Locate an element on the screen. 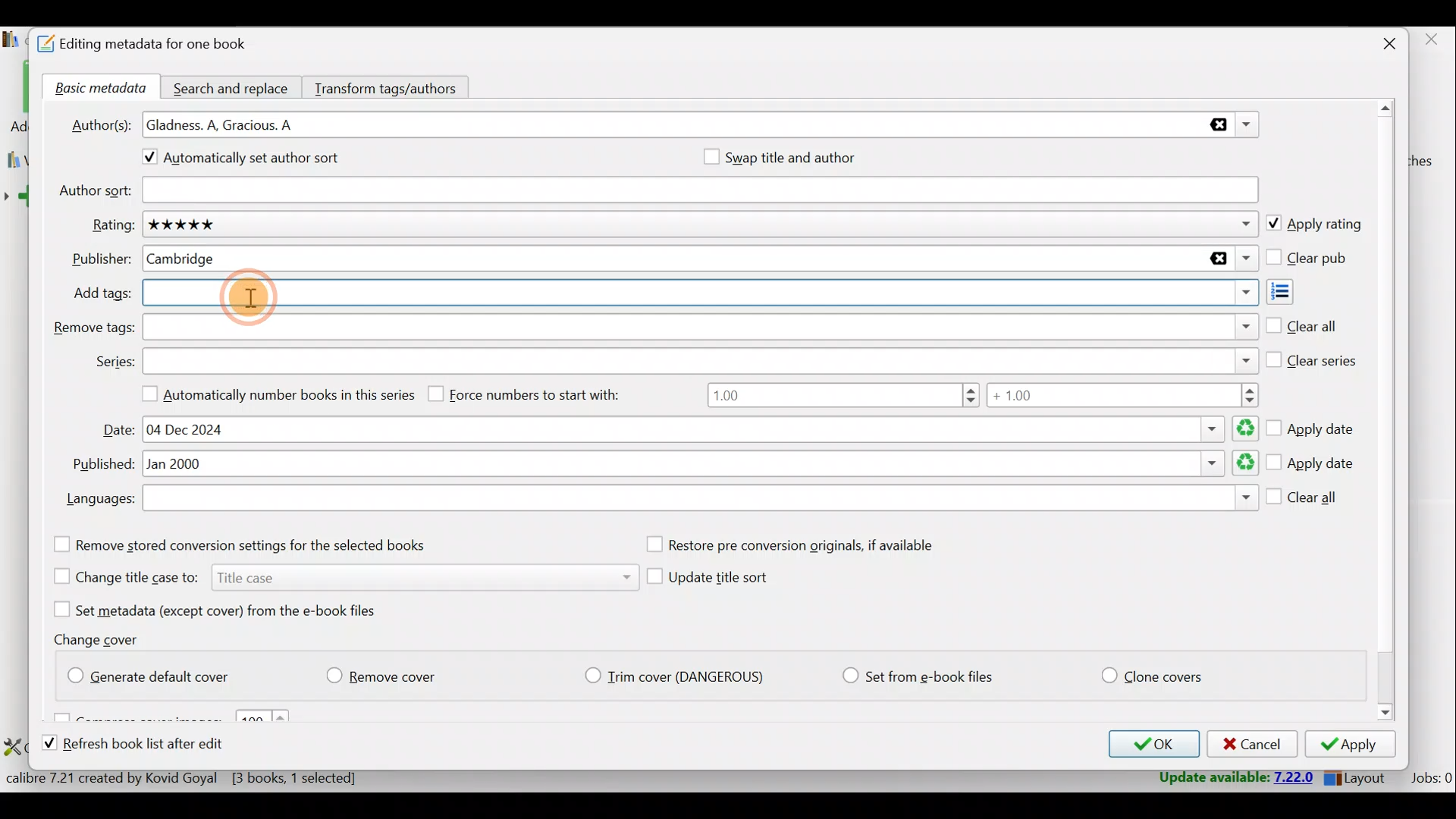  Restore pre conversion originals, if available is located at coordinates (806, 545).